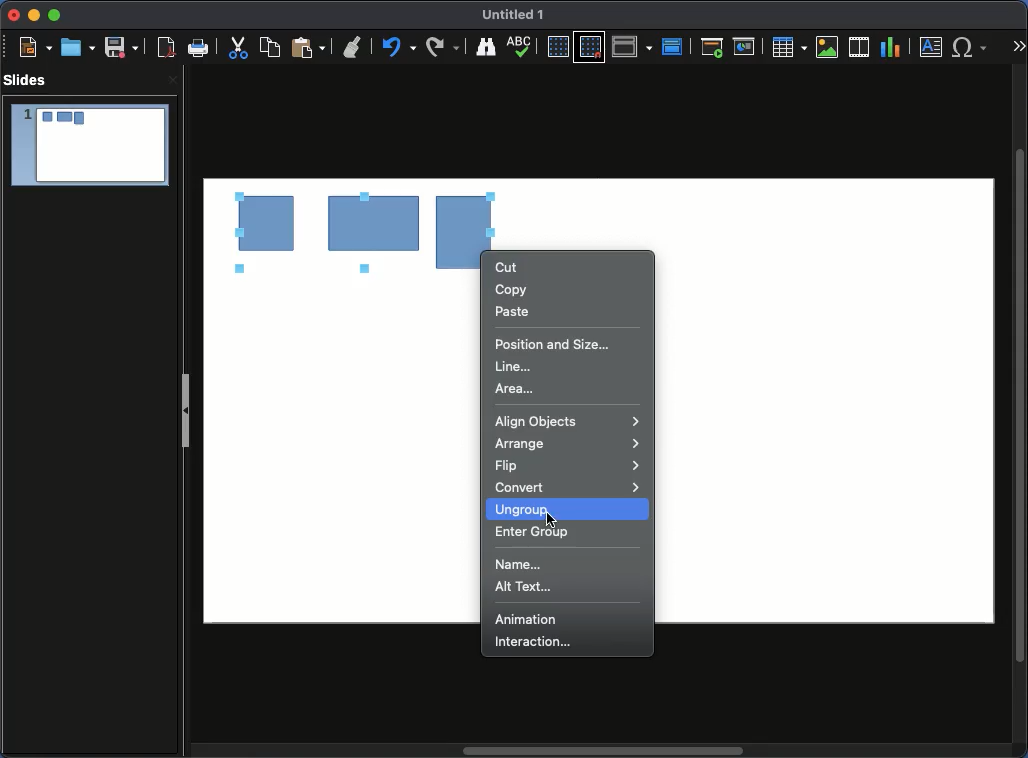 Image resolution: width=1028 pixels, height=758 pixels. What do you see at coordinates (485, 47) in the screenshot?
I see `Spelling` at bounding box center [485, 47].